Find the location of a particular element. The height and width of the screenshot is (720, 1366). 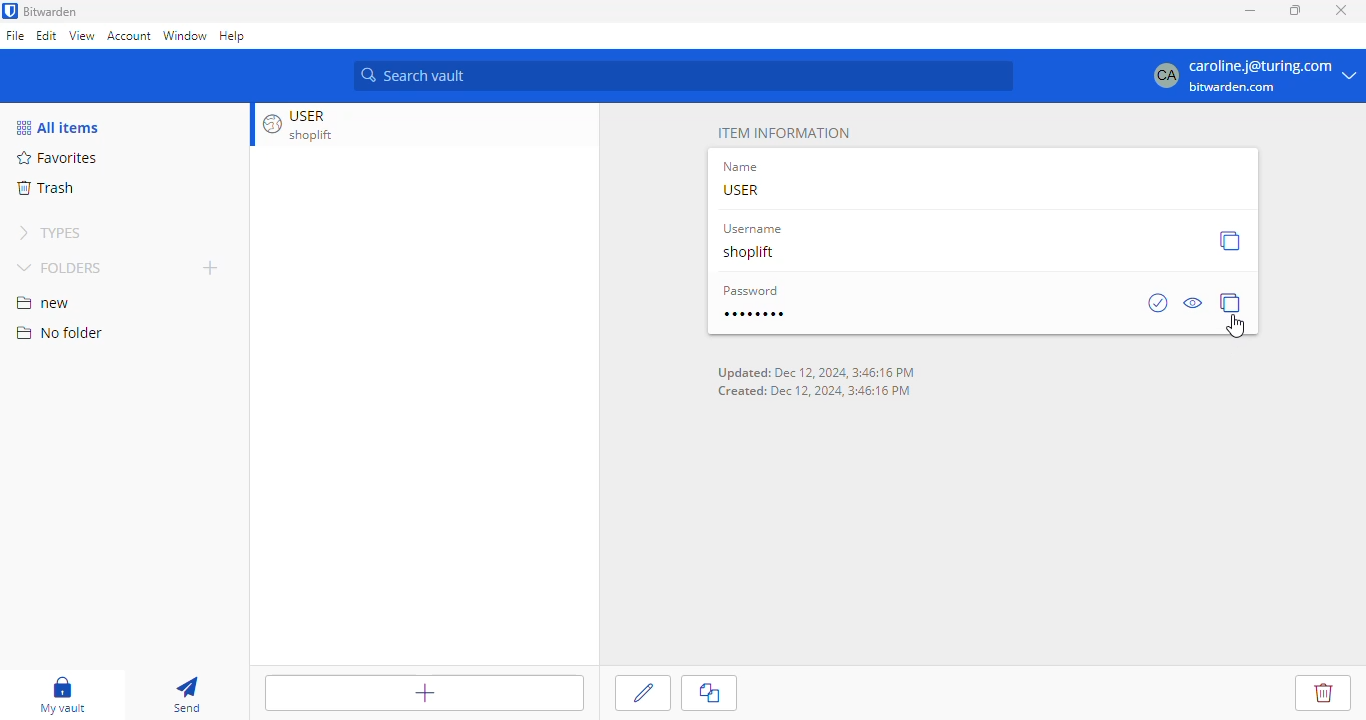

password is located at coordinates (752, 290).